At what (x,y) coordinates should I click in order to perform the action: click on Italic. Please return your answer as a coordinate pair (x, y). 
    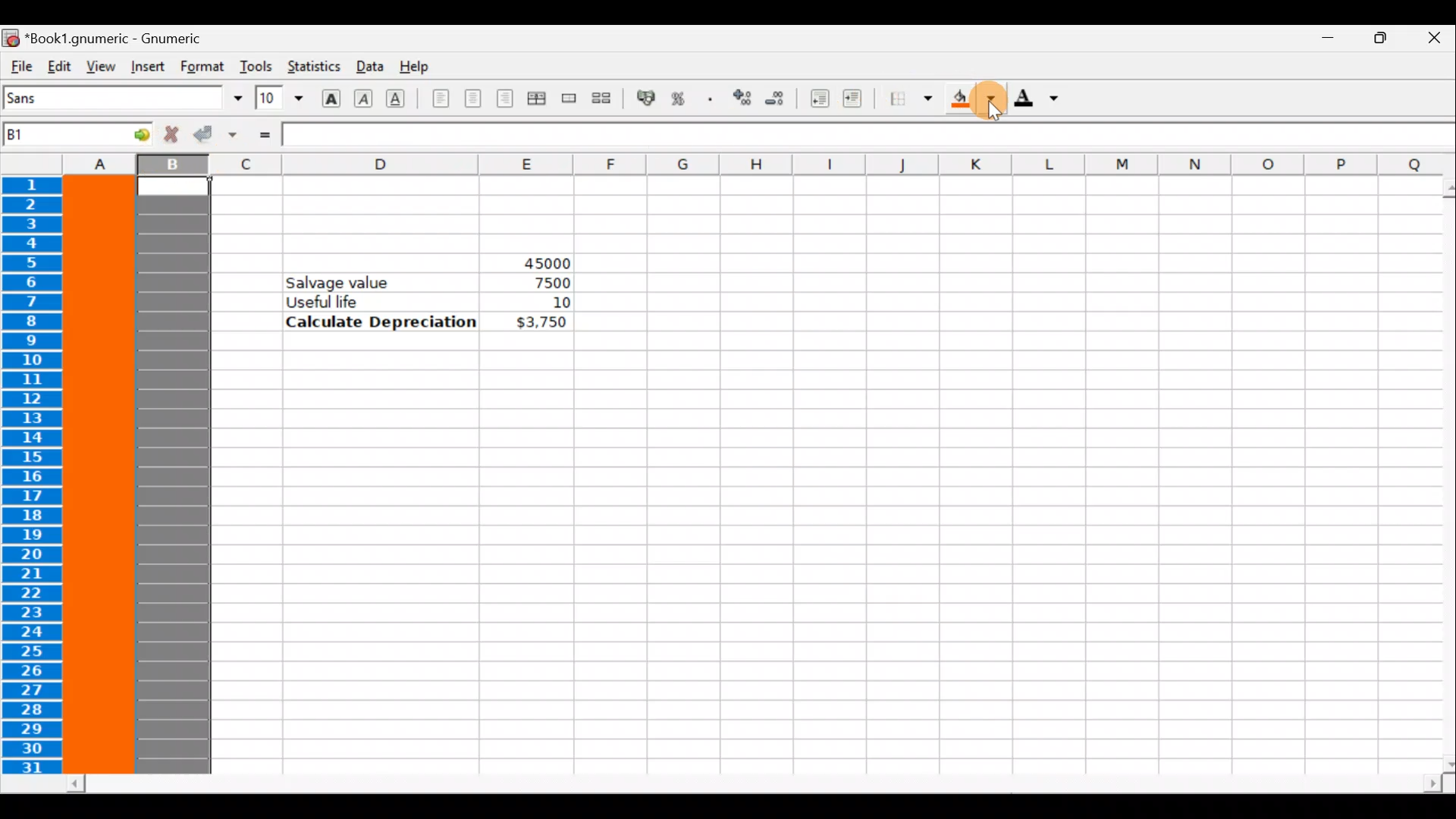
    Looking at the image, I should click on (366, 96).